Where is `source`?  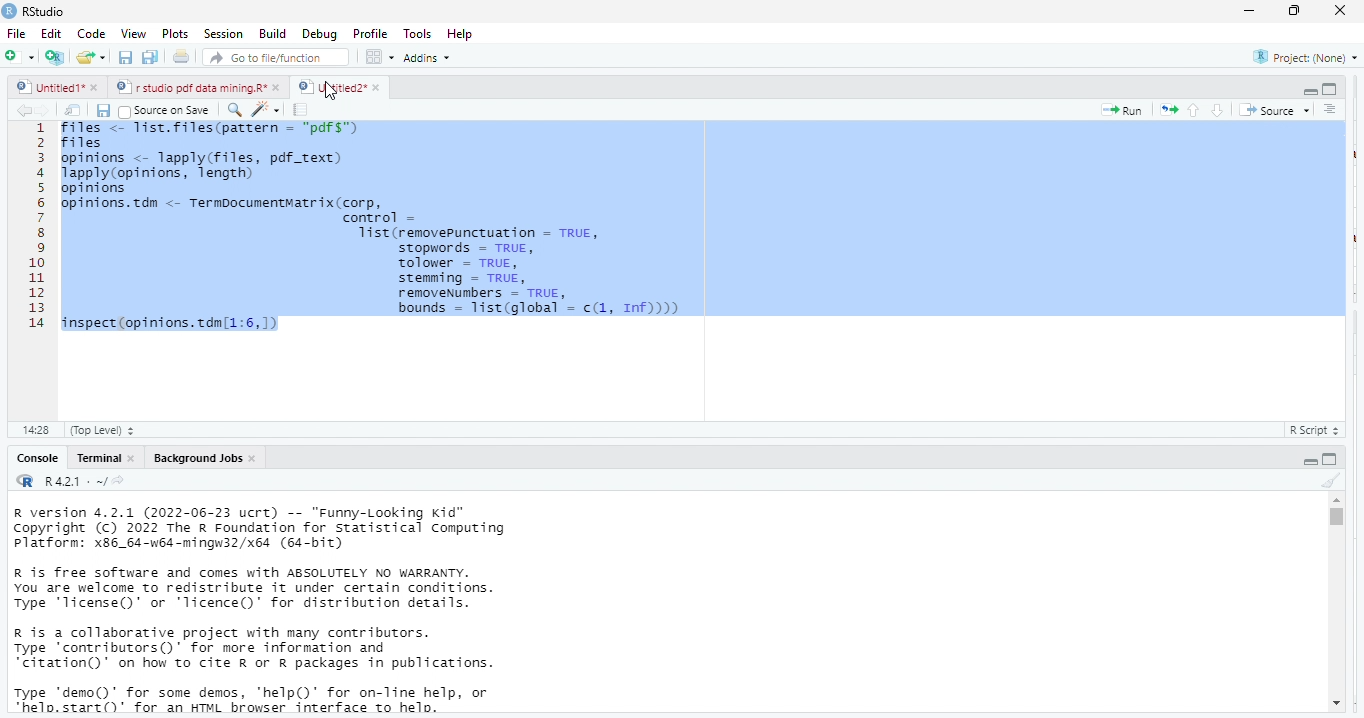
source is located at coordinates (1272, 110).